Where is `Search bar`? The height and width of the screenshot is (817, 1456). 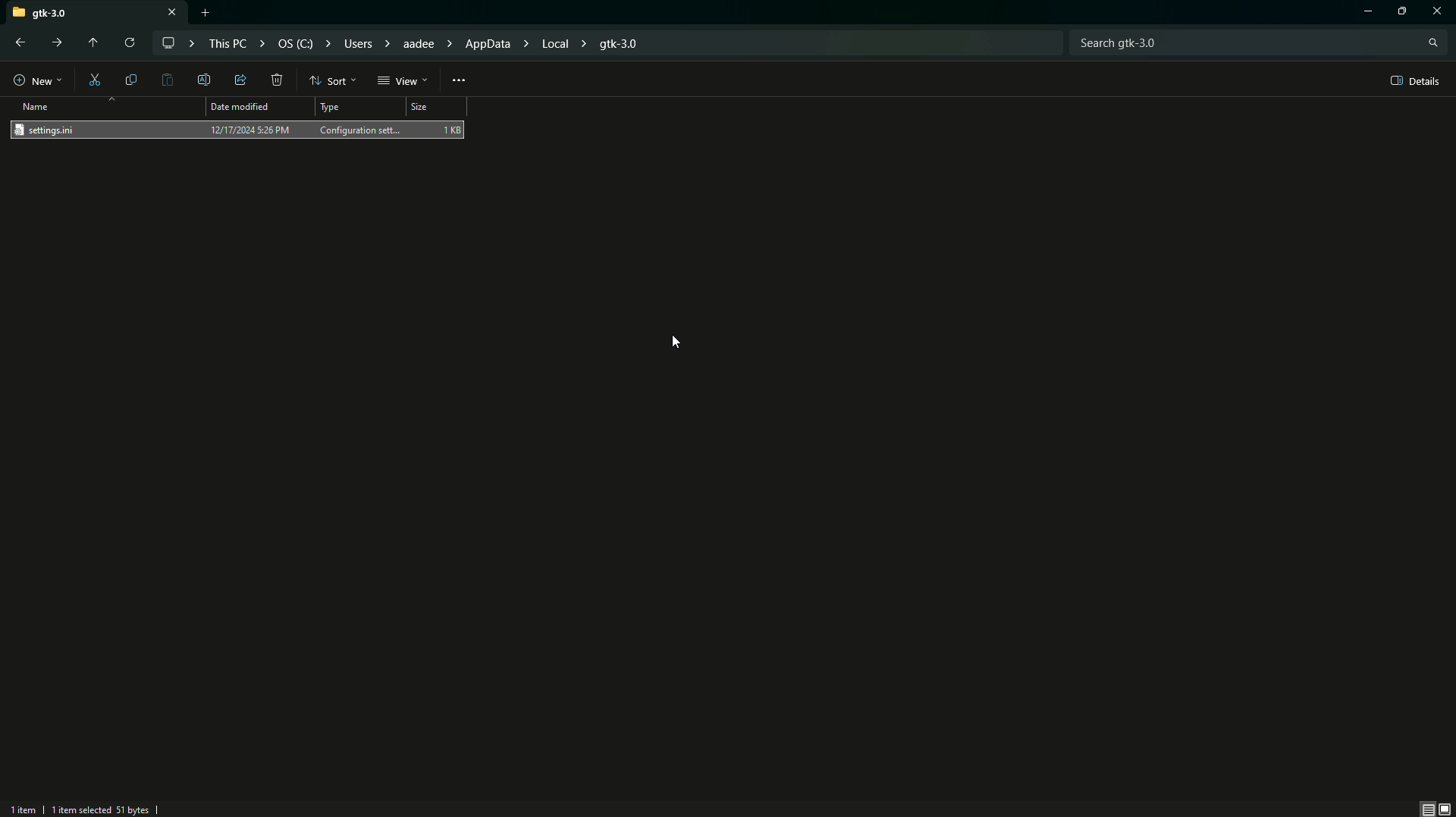
Search bar is located at coordinates (1258, 41).